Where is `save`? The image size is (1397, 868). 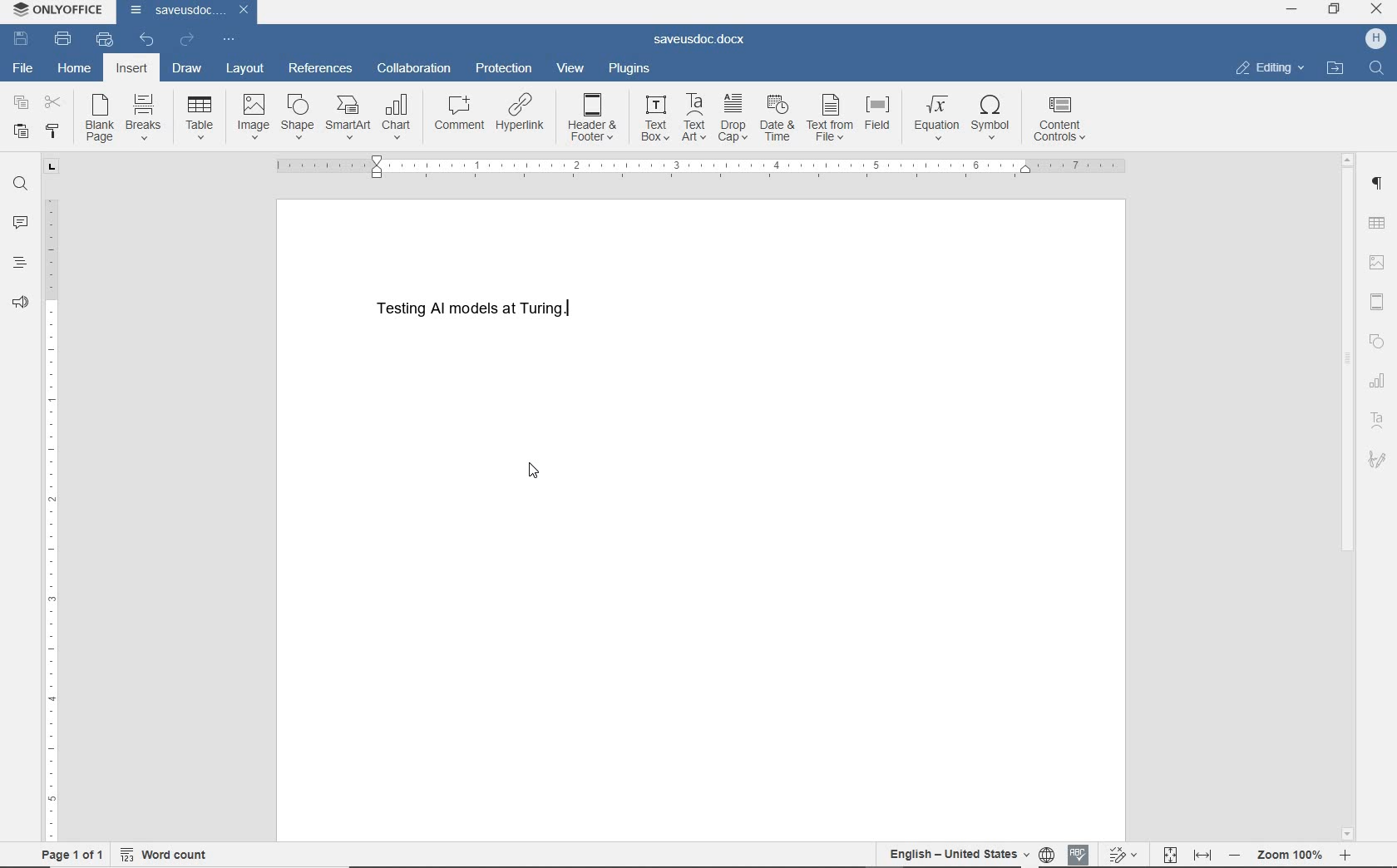 save is located at coordinates (19, 40).